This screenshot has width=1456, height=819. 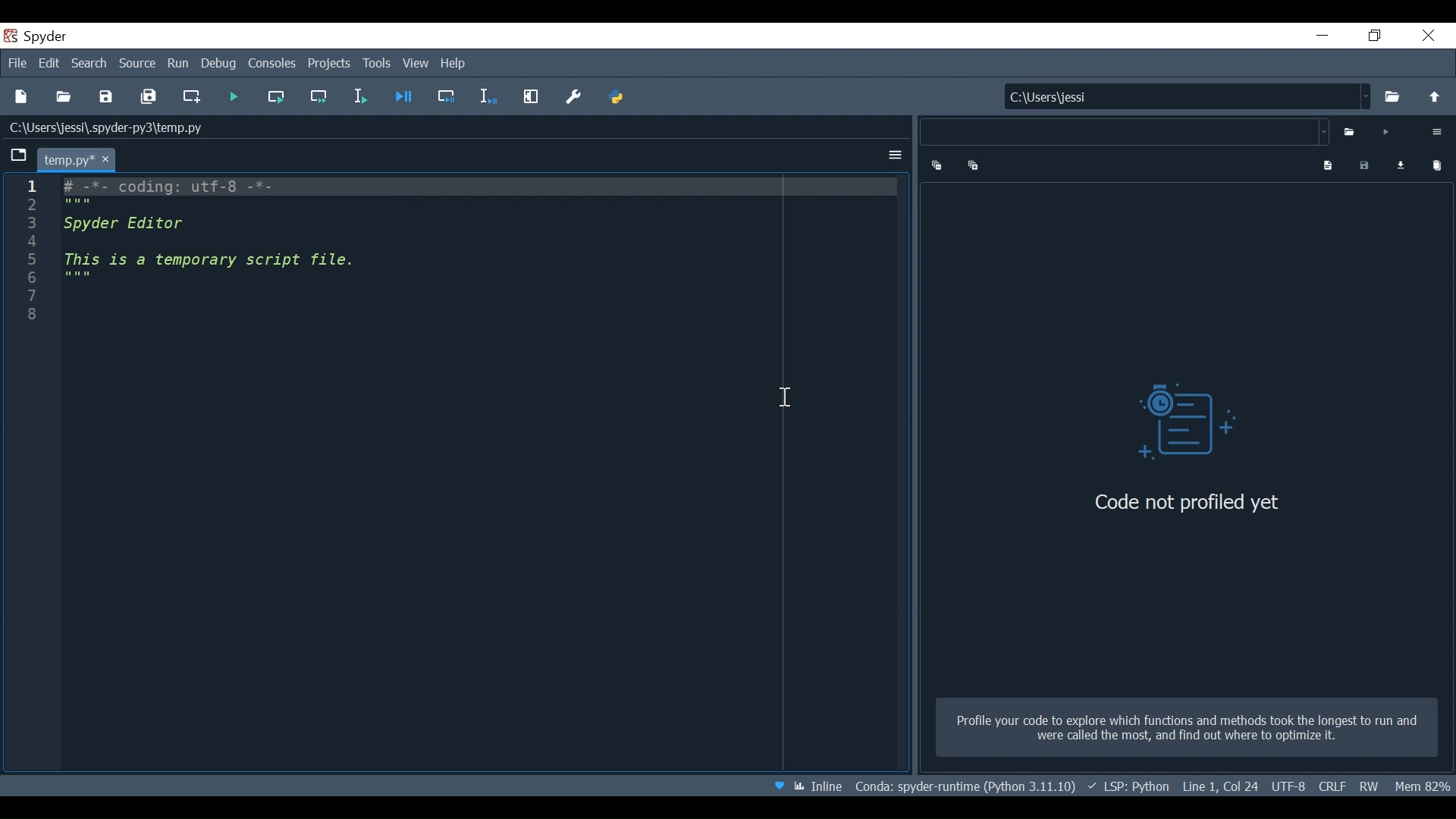 I want to click on Help Spyder, so click(x=776, y=783).